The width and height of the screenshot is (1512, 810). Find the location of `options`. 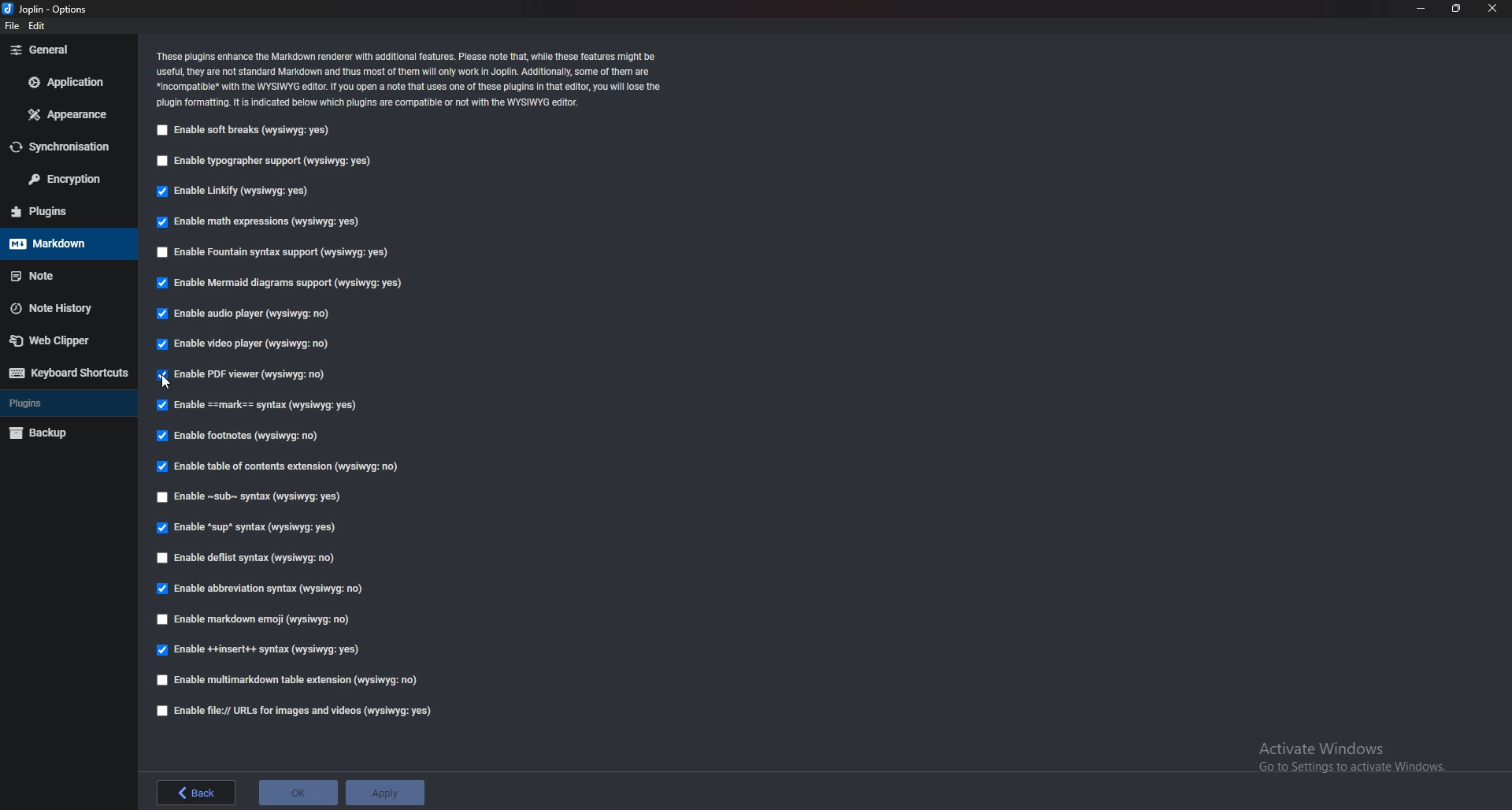

options is located at coordinates (51, 9).